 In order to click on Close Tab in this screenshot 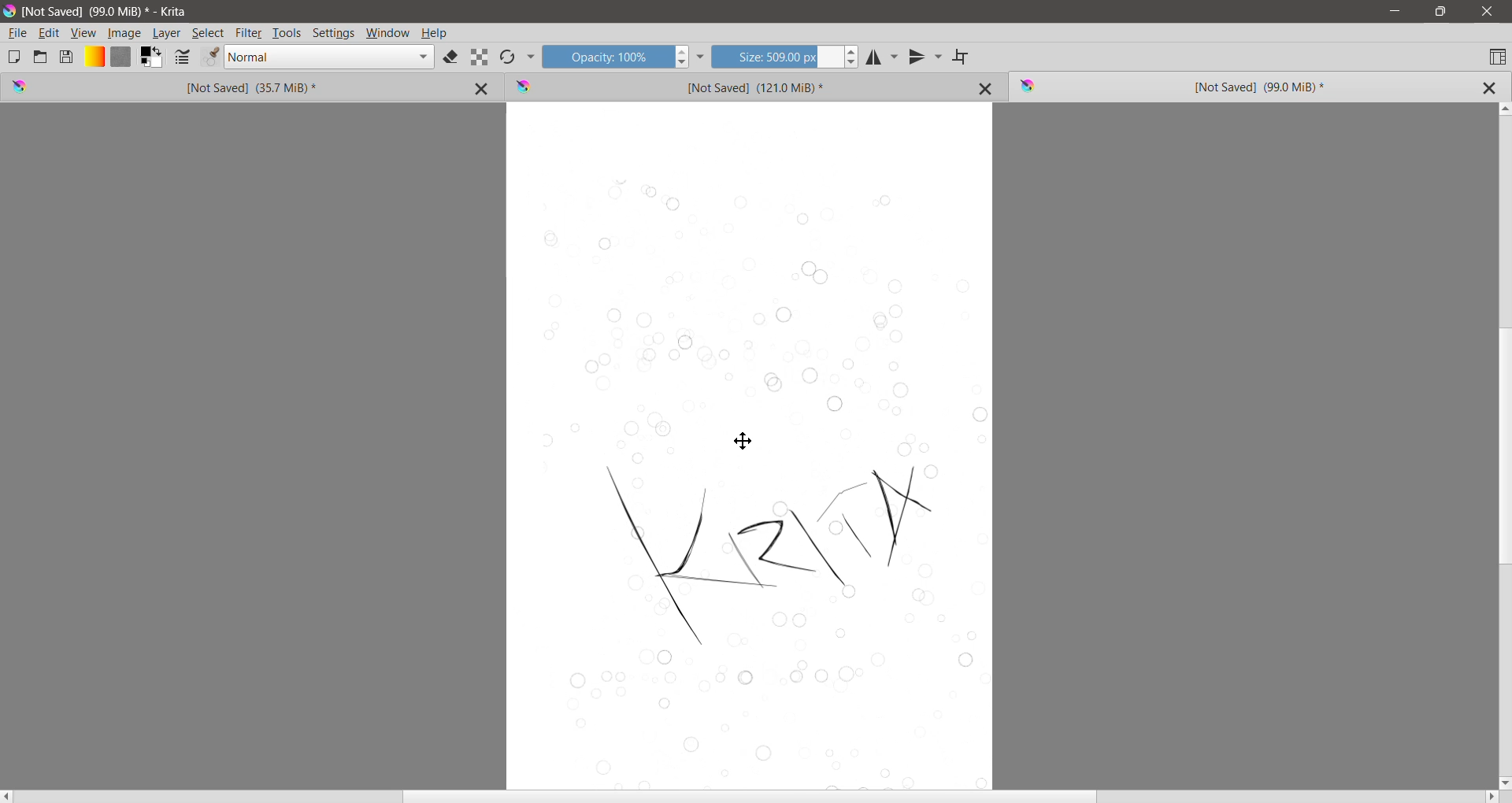, I will do `click(1488, 88)`.